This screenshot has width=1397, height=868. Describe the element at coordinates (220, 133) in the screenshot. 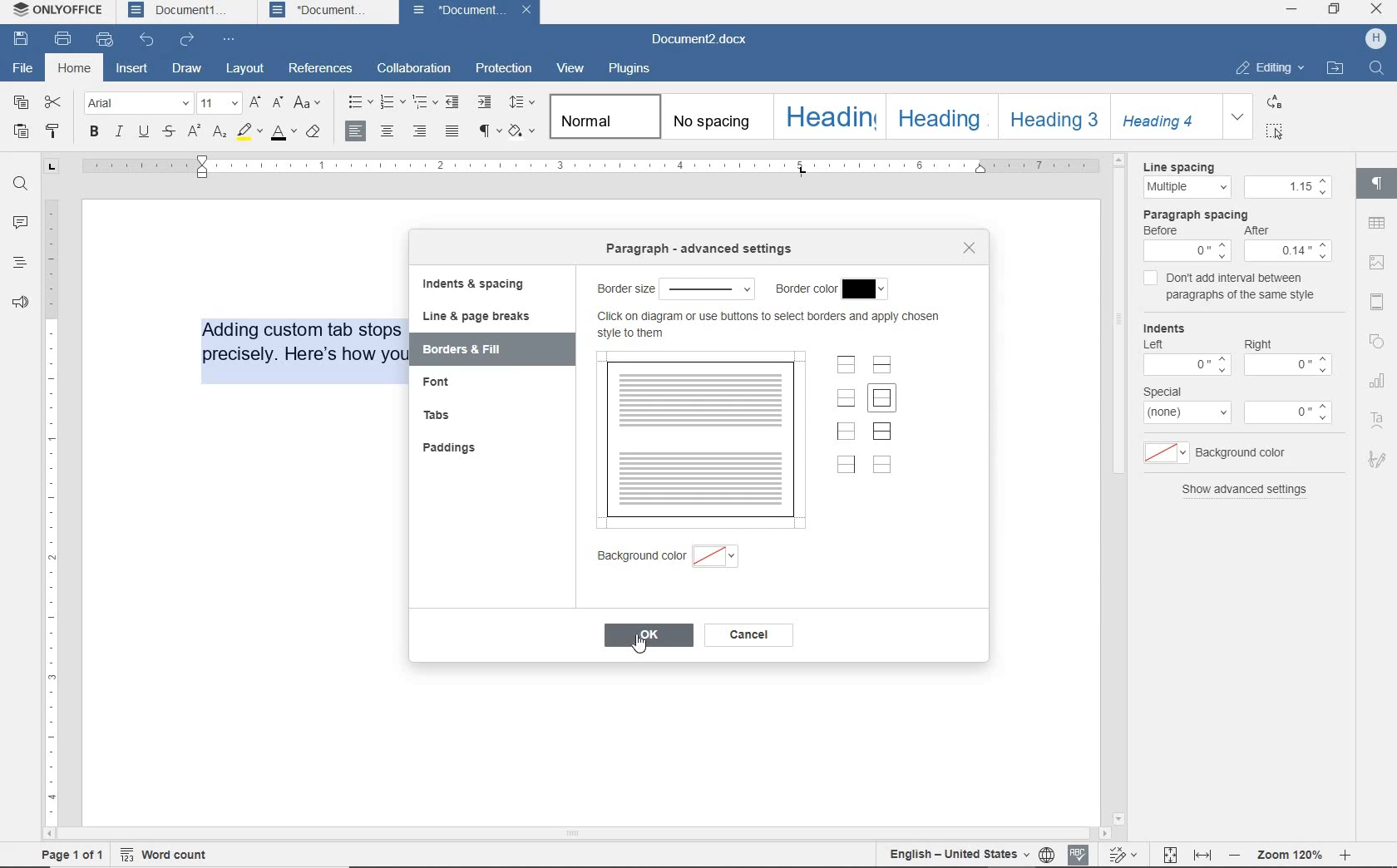

I see `subscript` at that location.